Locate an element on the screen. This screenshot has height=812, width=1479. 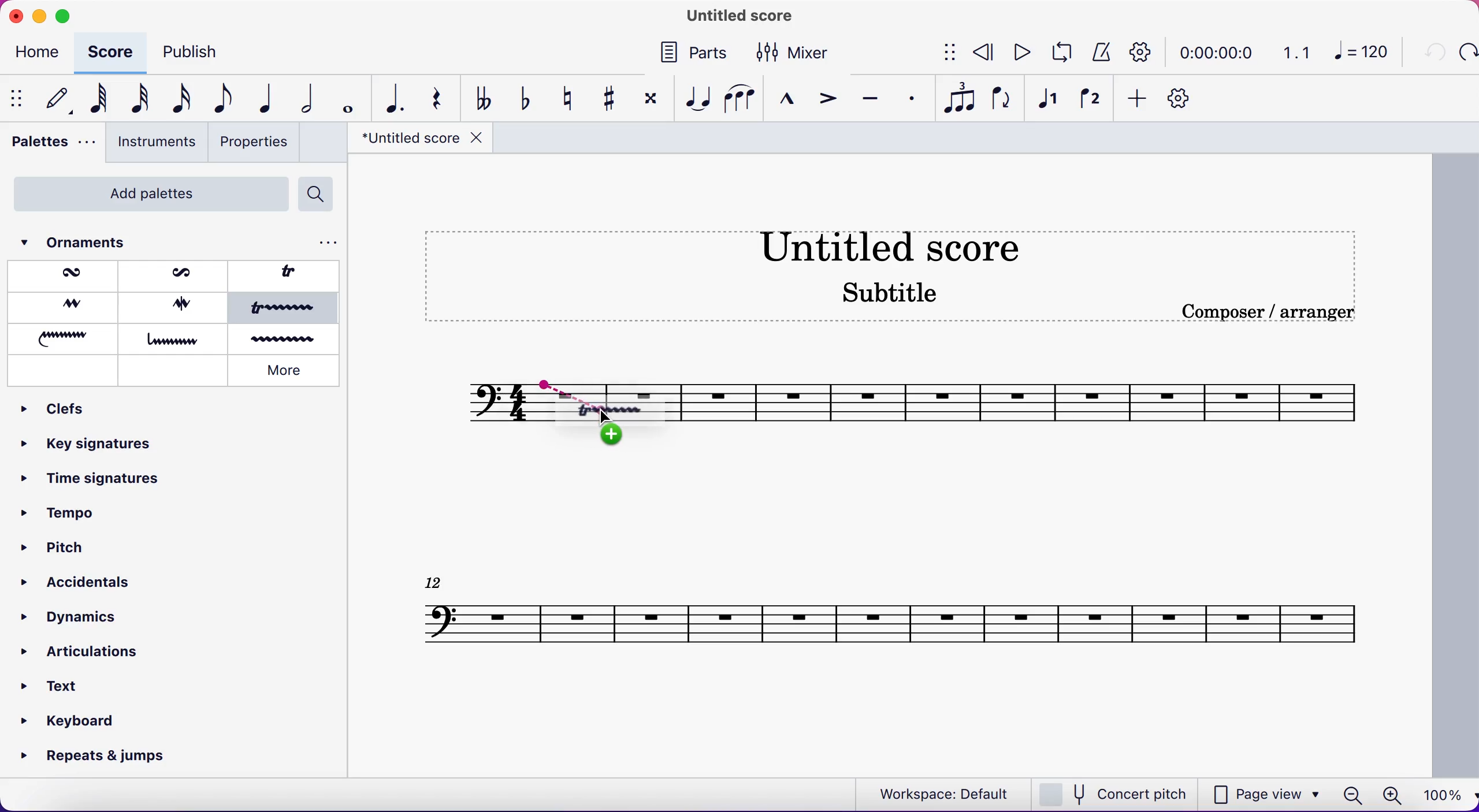
play is located at coordinates (1021, 54).